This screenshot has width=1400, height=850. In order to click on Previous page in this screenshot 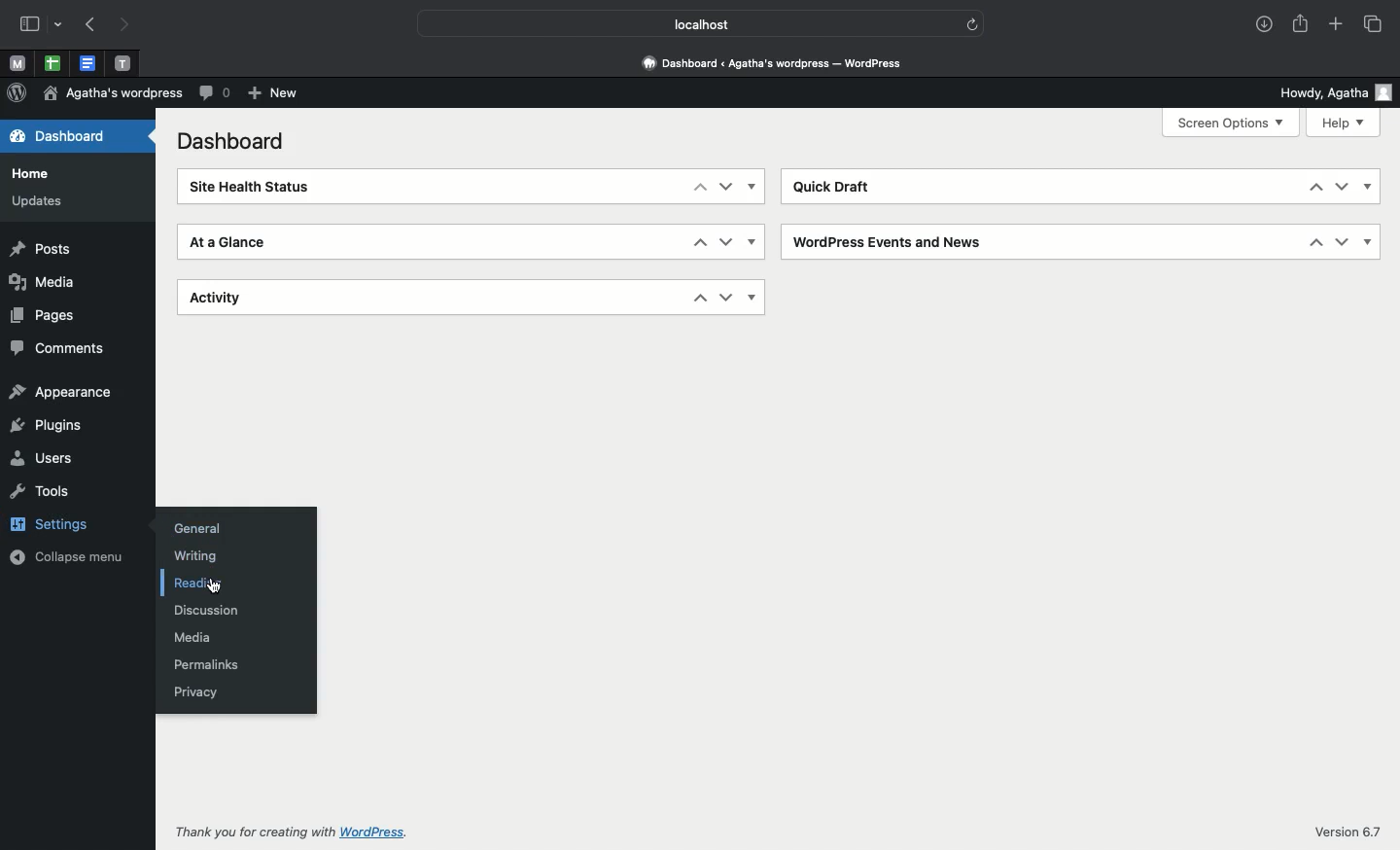, I will do `click(93, 25)`.